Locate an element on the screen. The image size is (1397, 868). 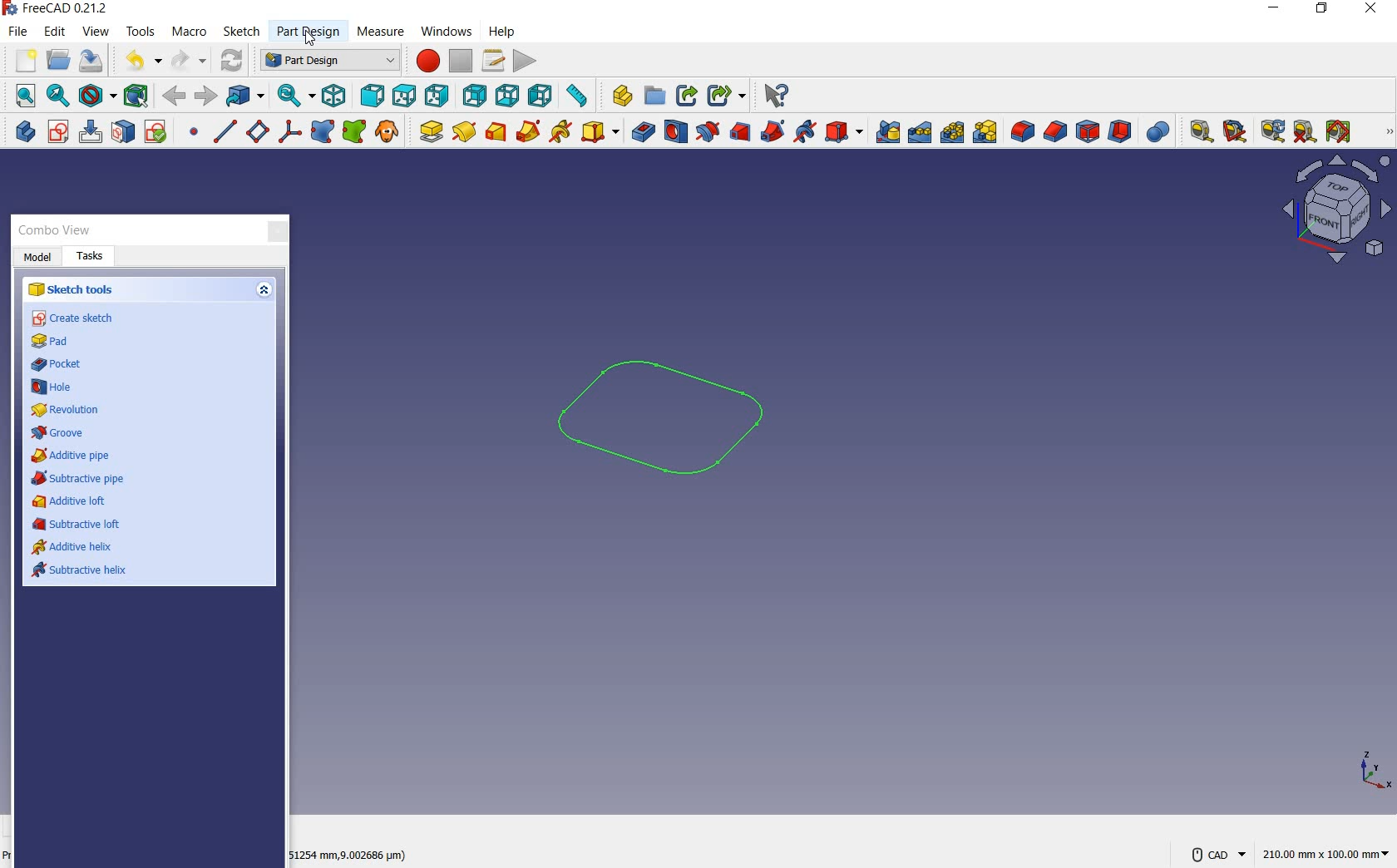
What's this? is located at coordinates (617, 96).